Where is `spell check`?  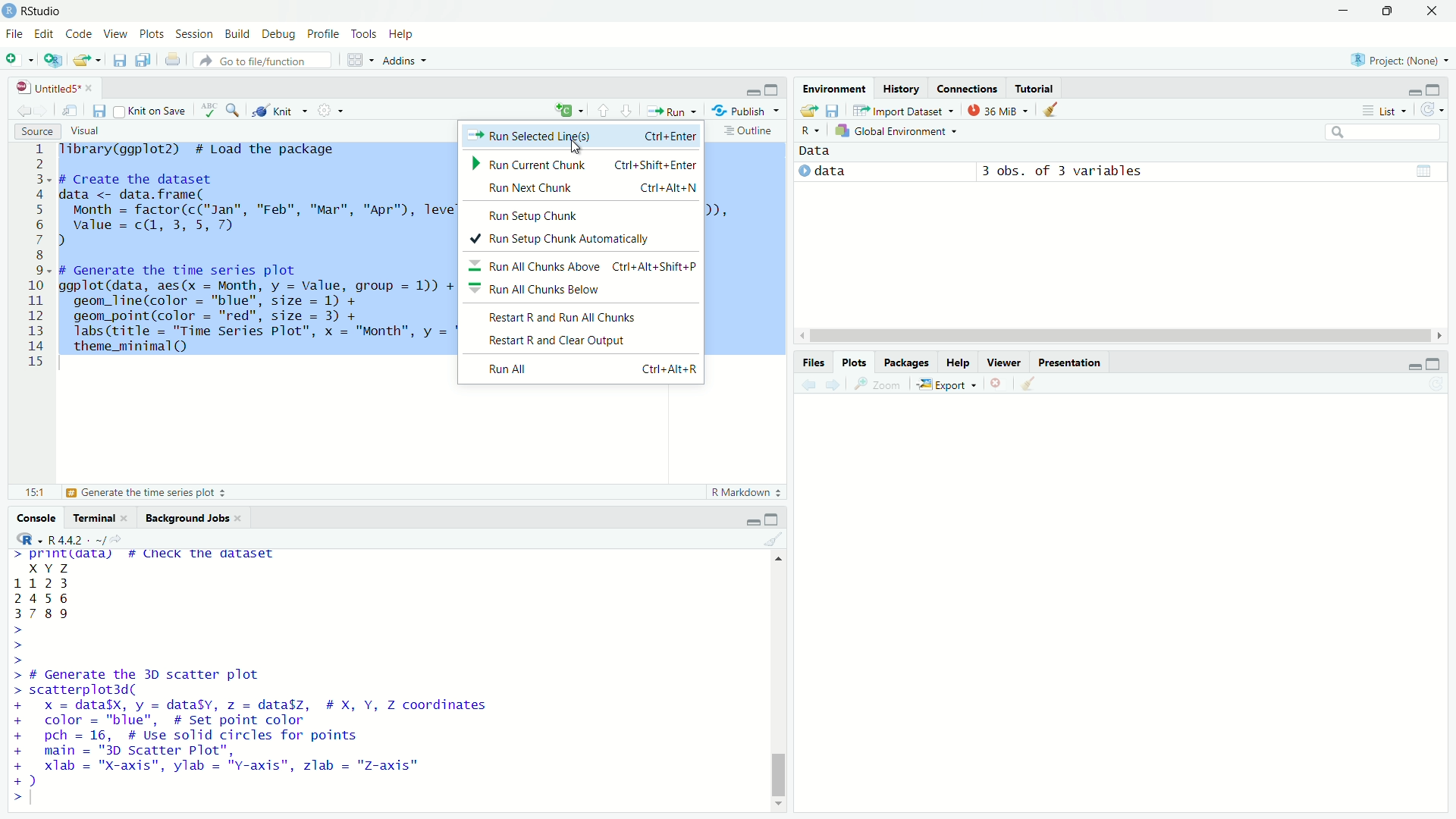
spell check is located at coordinates (206, 113).